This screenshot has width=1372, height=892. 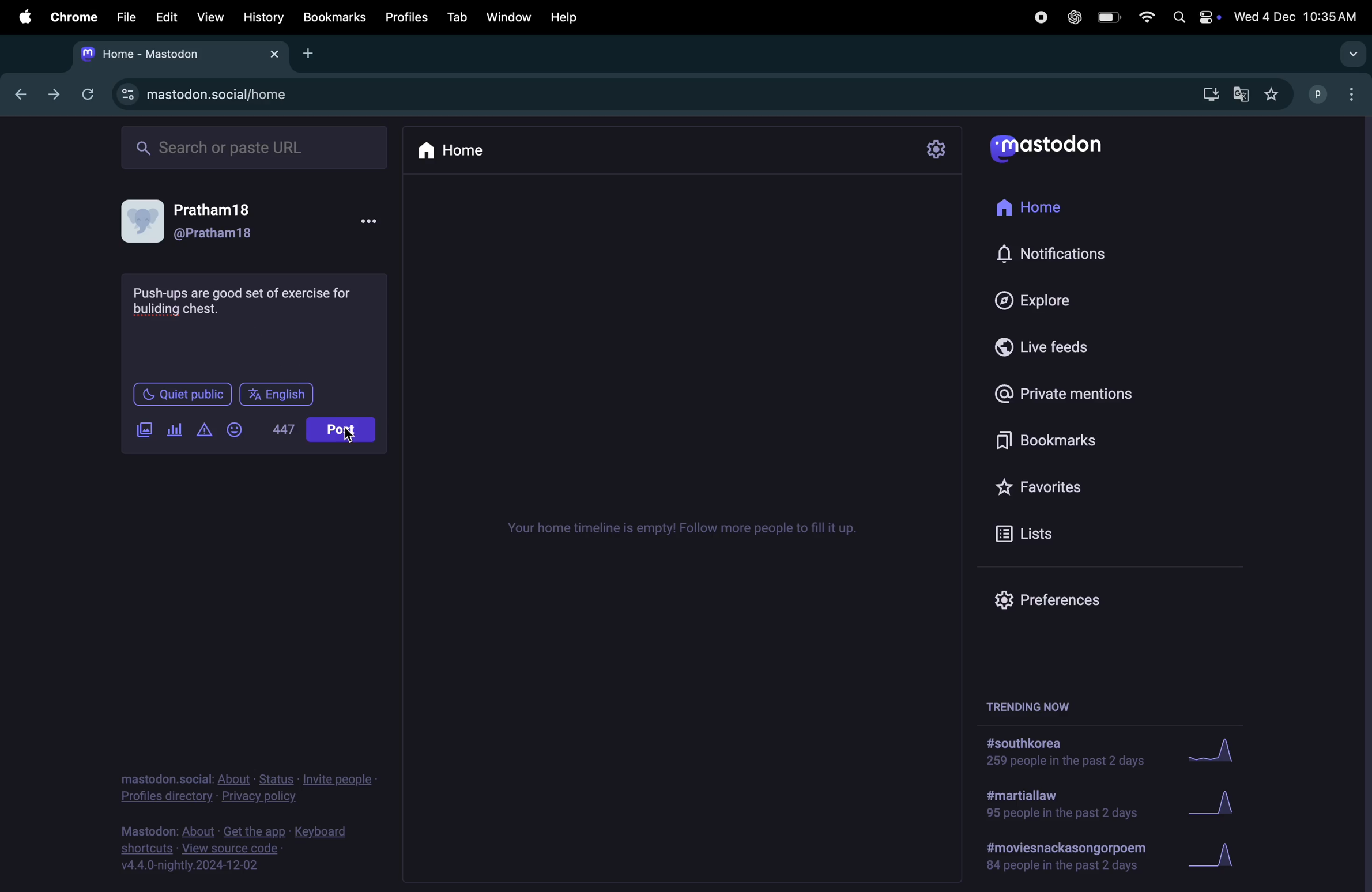 I want to click on Home, so click(x=460, y=149).